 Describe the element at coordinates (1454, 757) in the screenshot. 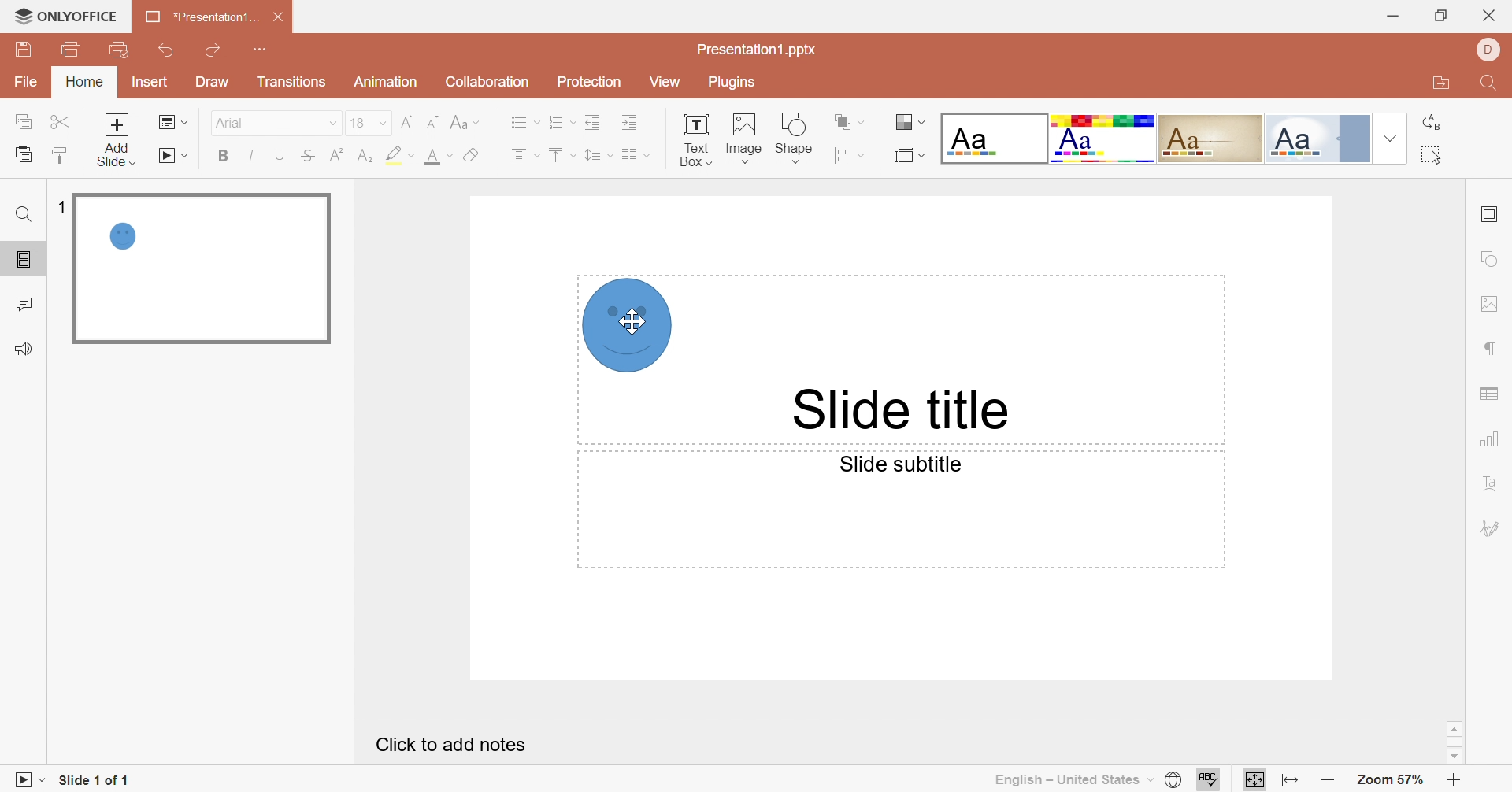

I see `scroll down` at that location.